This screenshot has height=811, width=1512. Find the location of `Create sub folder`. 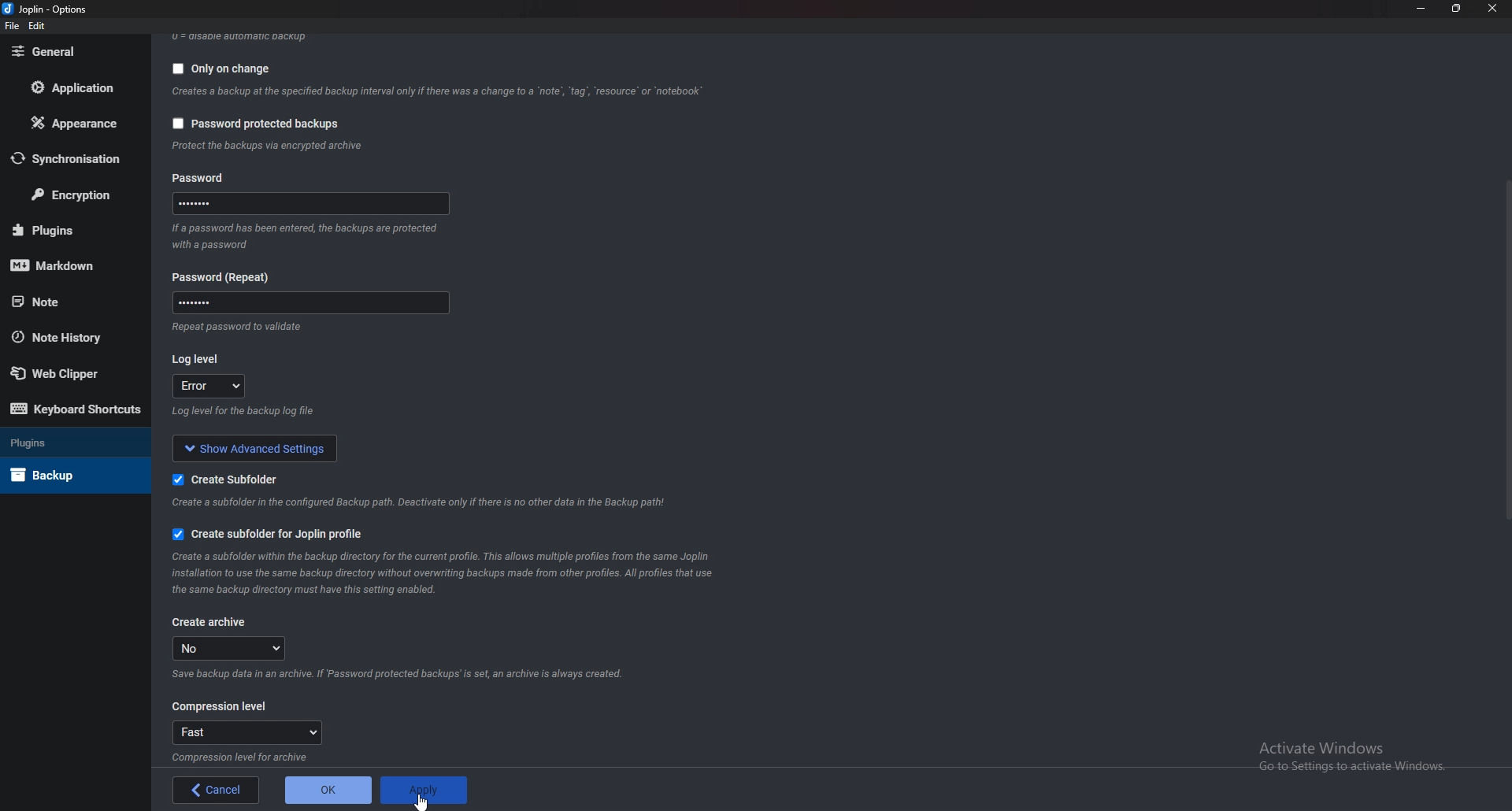

Create sub folder is located at coordinates (230, 480).